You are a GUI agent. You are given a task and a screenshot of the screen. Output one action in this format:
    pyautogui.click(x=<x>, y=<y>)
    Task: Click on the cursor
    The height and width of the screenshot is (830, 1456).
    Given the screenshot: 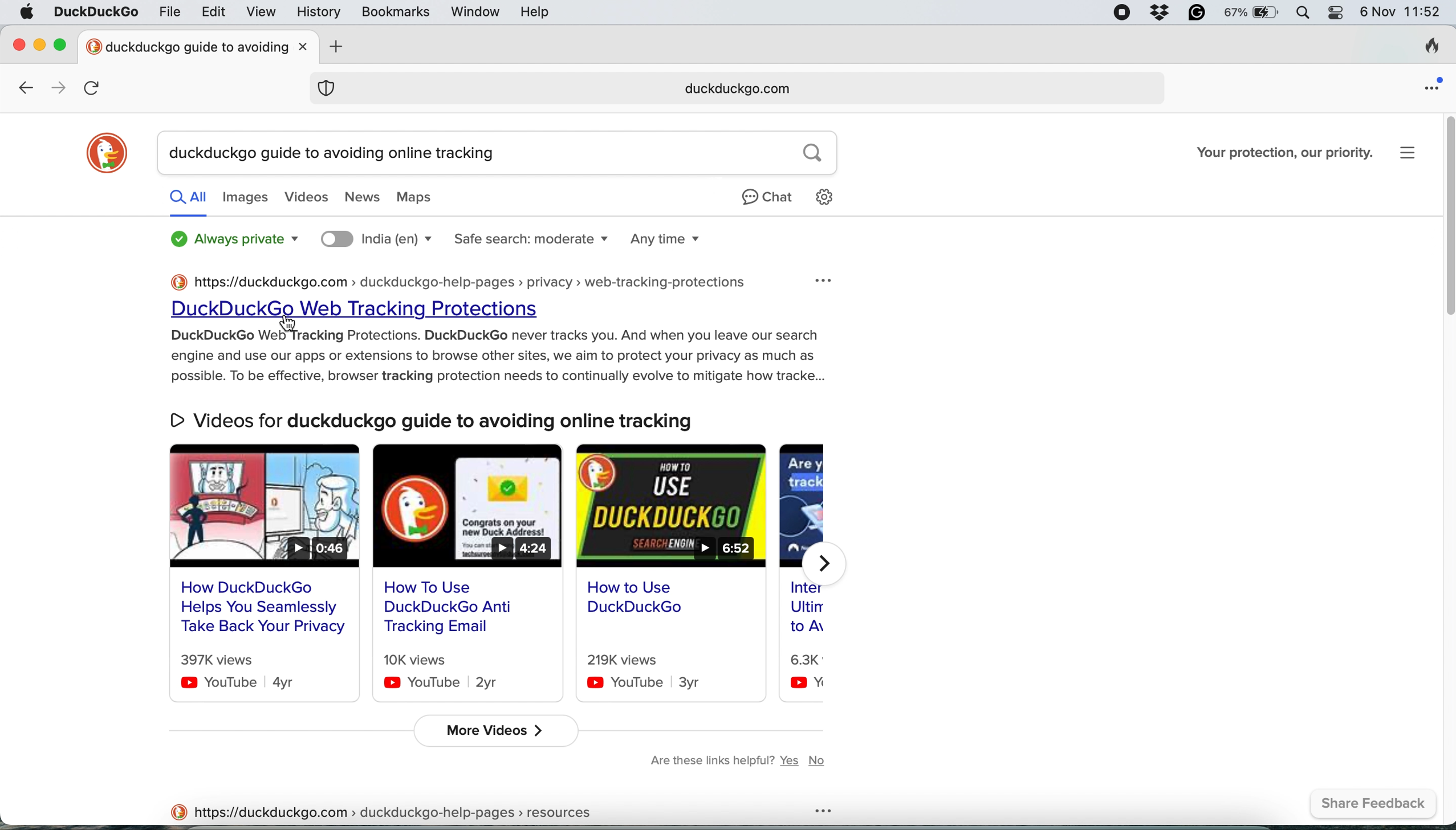 What is the action you would take?
    pyautogui.click(x=280, y=322)
    